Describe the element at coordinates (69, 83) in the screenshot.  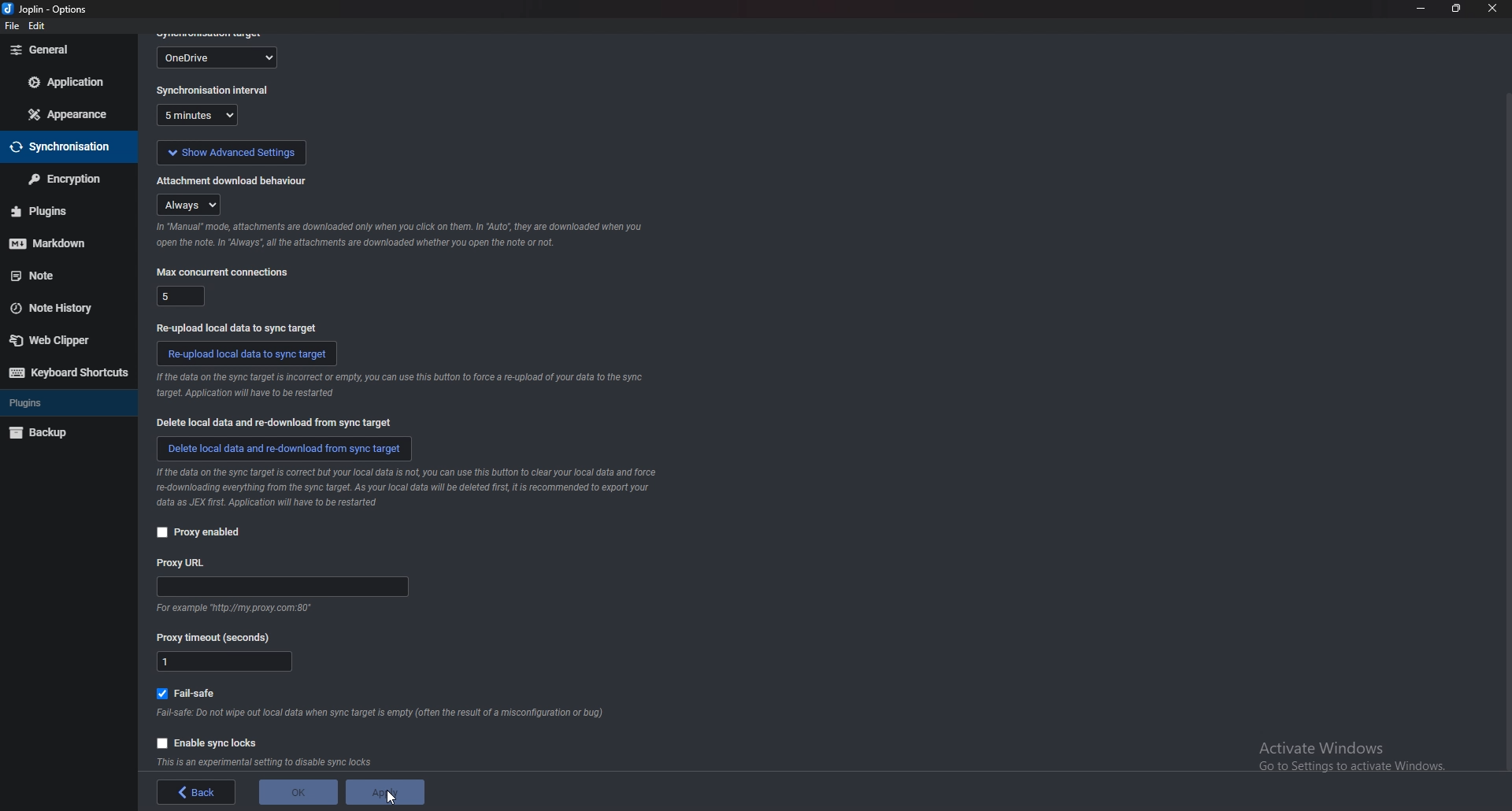
I see `application` at that location.